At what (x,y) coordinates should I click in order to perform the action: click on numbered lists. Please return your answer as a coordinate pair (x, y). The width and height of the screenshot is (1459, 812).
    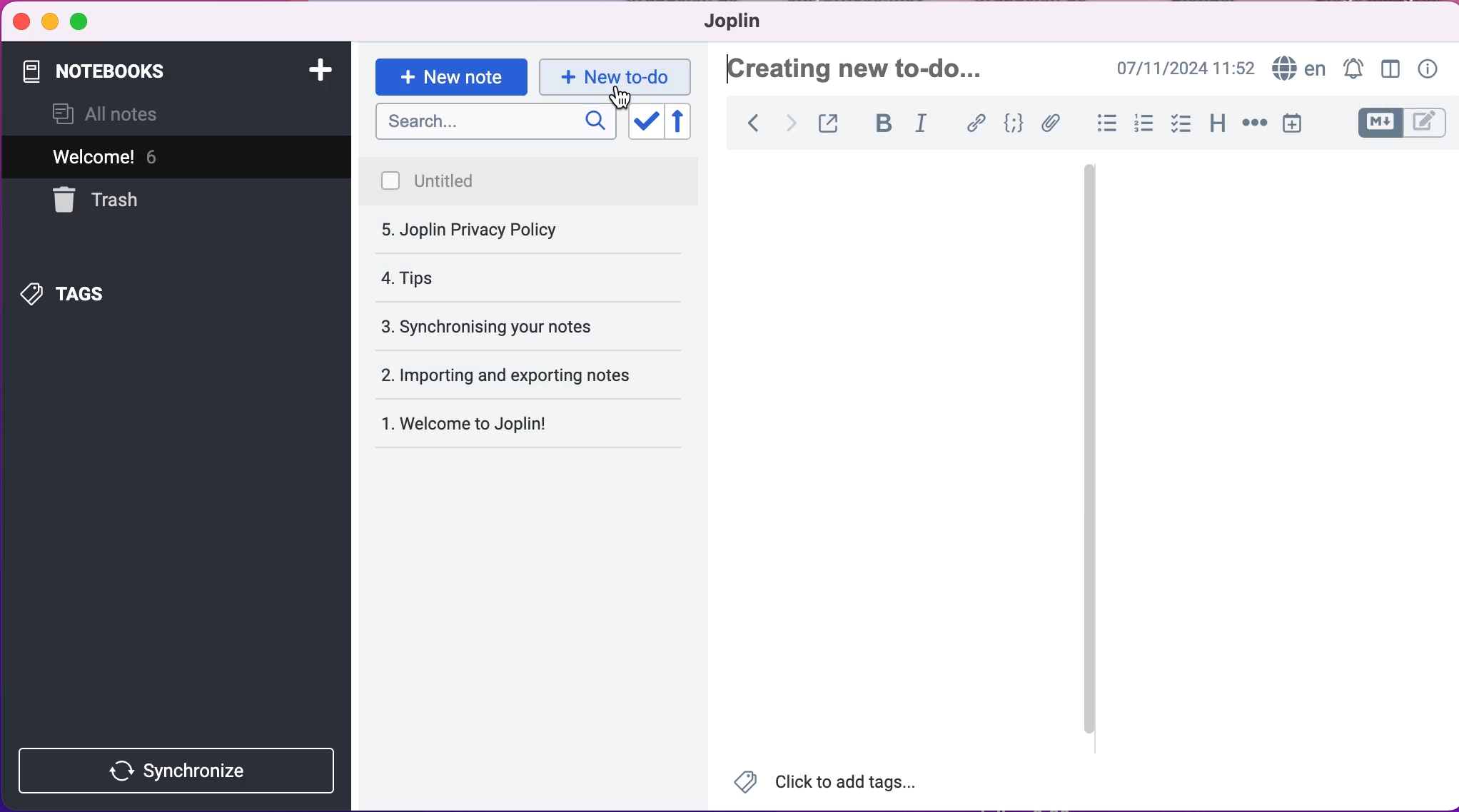
    Looking at the image, I should click on (1144, 126).